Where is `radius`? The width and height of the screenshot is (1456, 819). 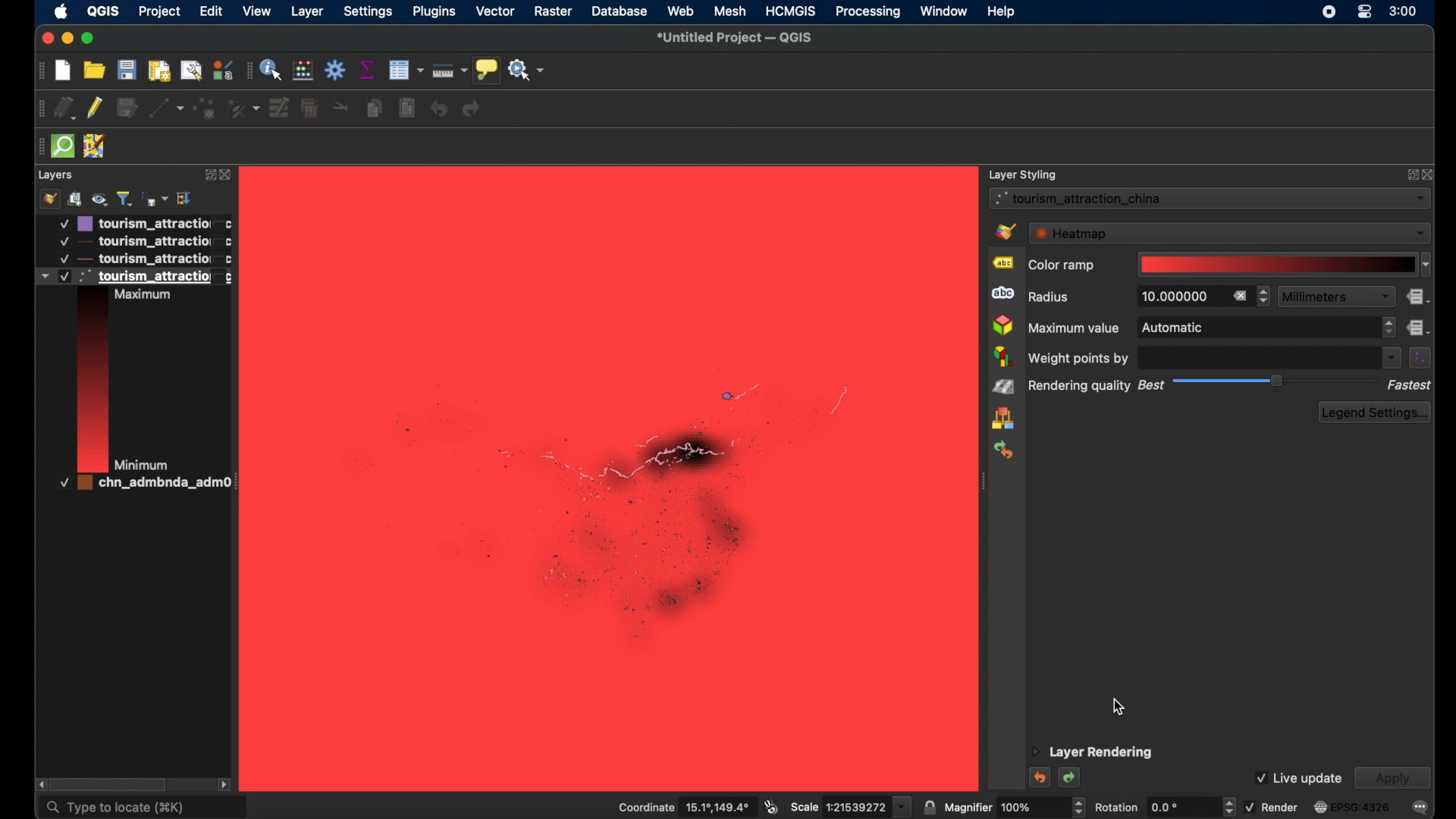
radius is located at coordinates (1051, 297).